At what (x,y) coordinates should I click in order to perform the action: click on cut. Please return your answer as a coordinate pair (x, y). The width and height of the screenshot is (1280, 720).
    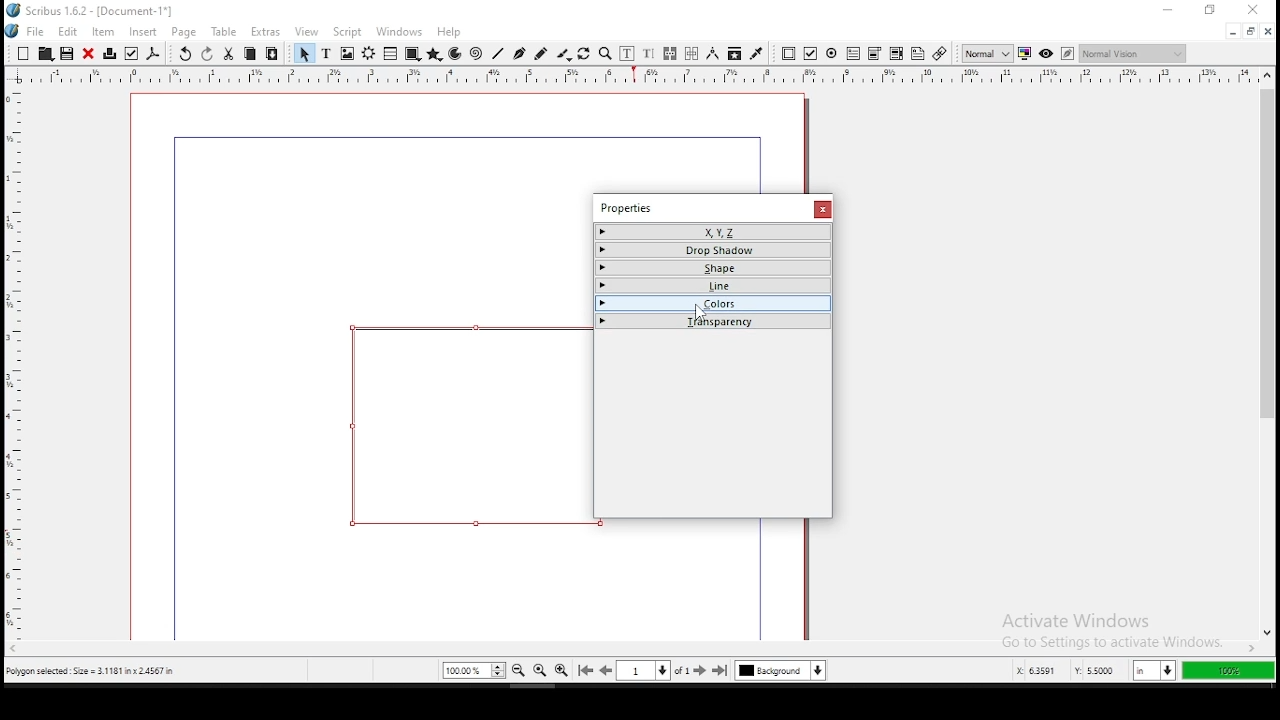
    Looking at the image, I should click on (229, 55).